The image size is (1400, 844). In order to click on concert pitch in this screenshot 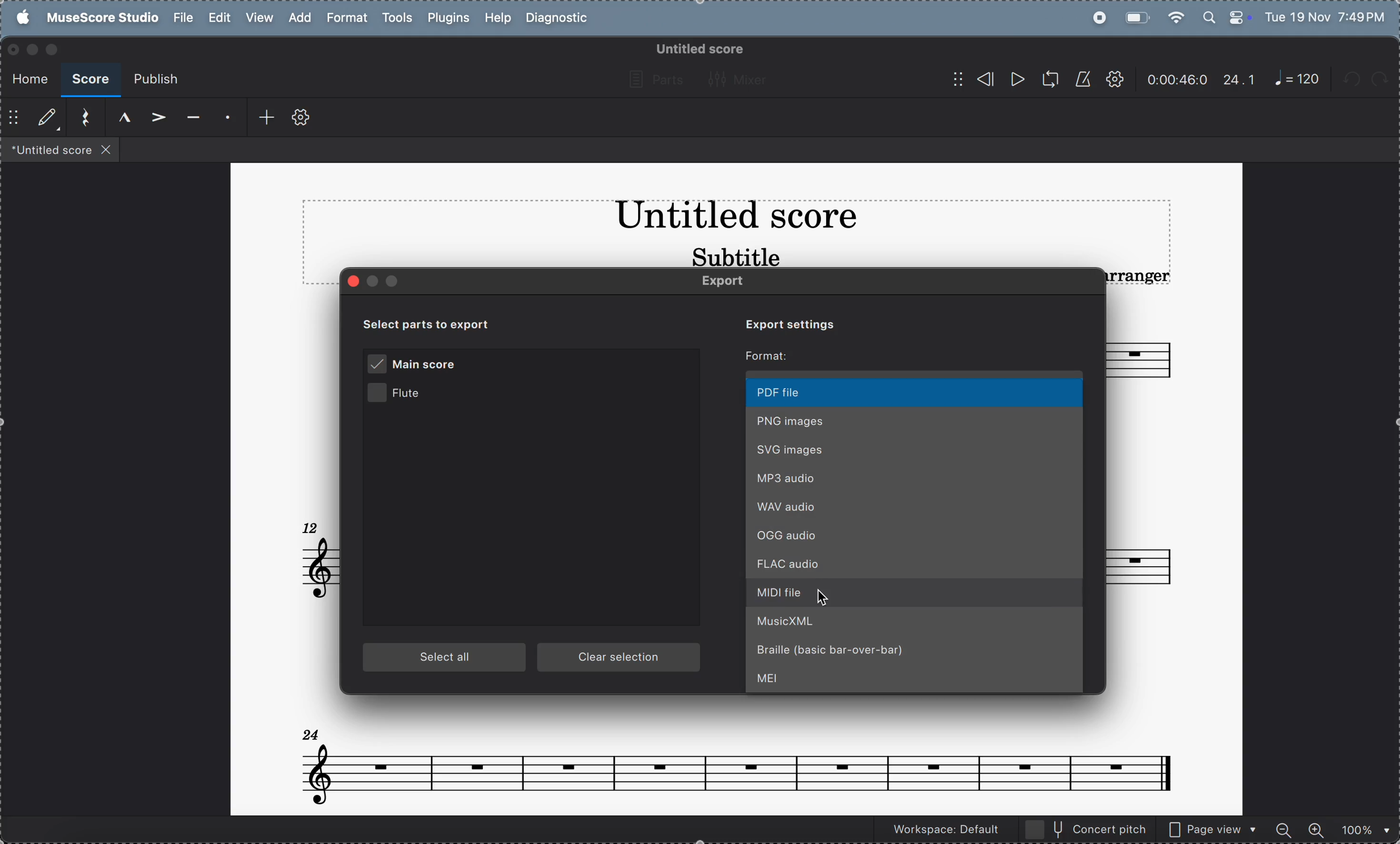, I will do `click(1087, 829)`.